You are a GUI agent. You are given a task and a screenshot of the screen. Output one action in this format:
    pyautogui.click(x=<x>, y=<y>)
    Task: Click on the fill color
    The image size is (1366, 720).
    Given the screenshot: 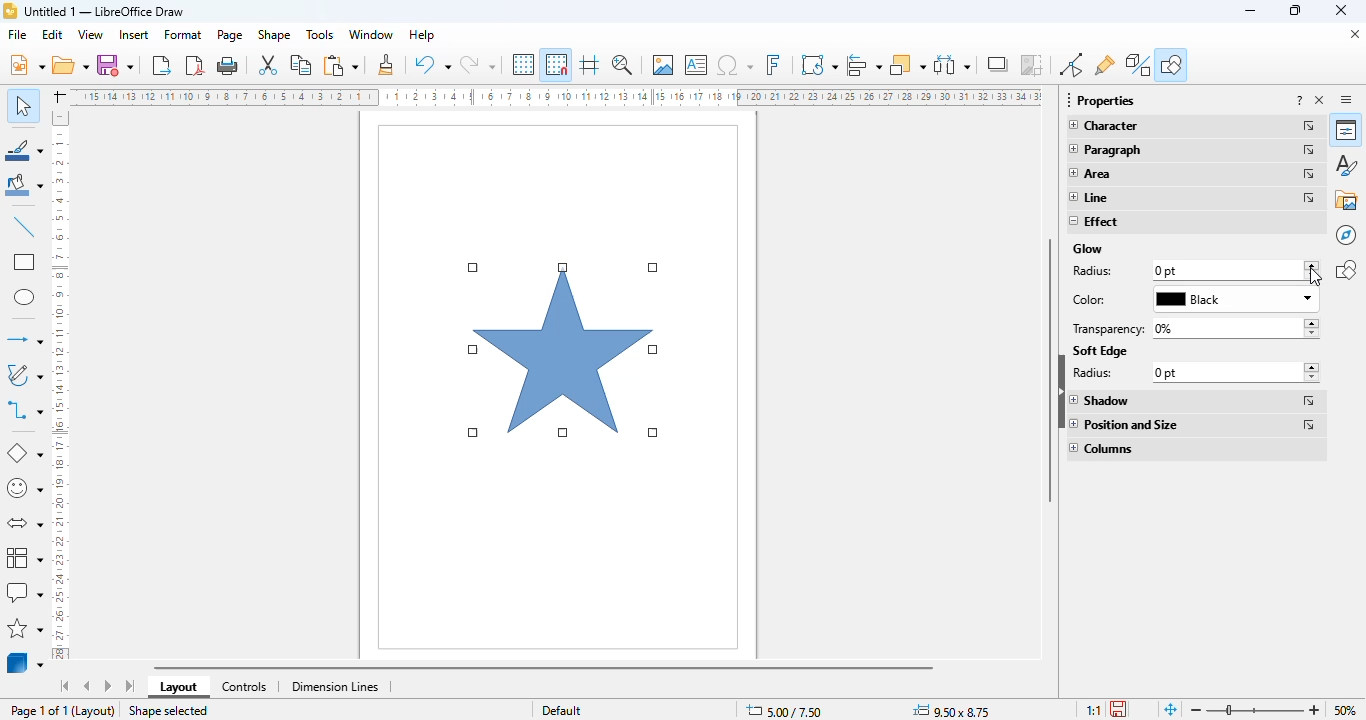 What is the action you would take?
    pyautogui.click(x=23, y=187)
    